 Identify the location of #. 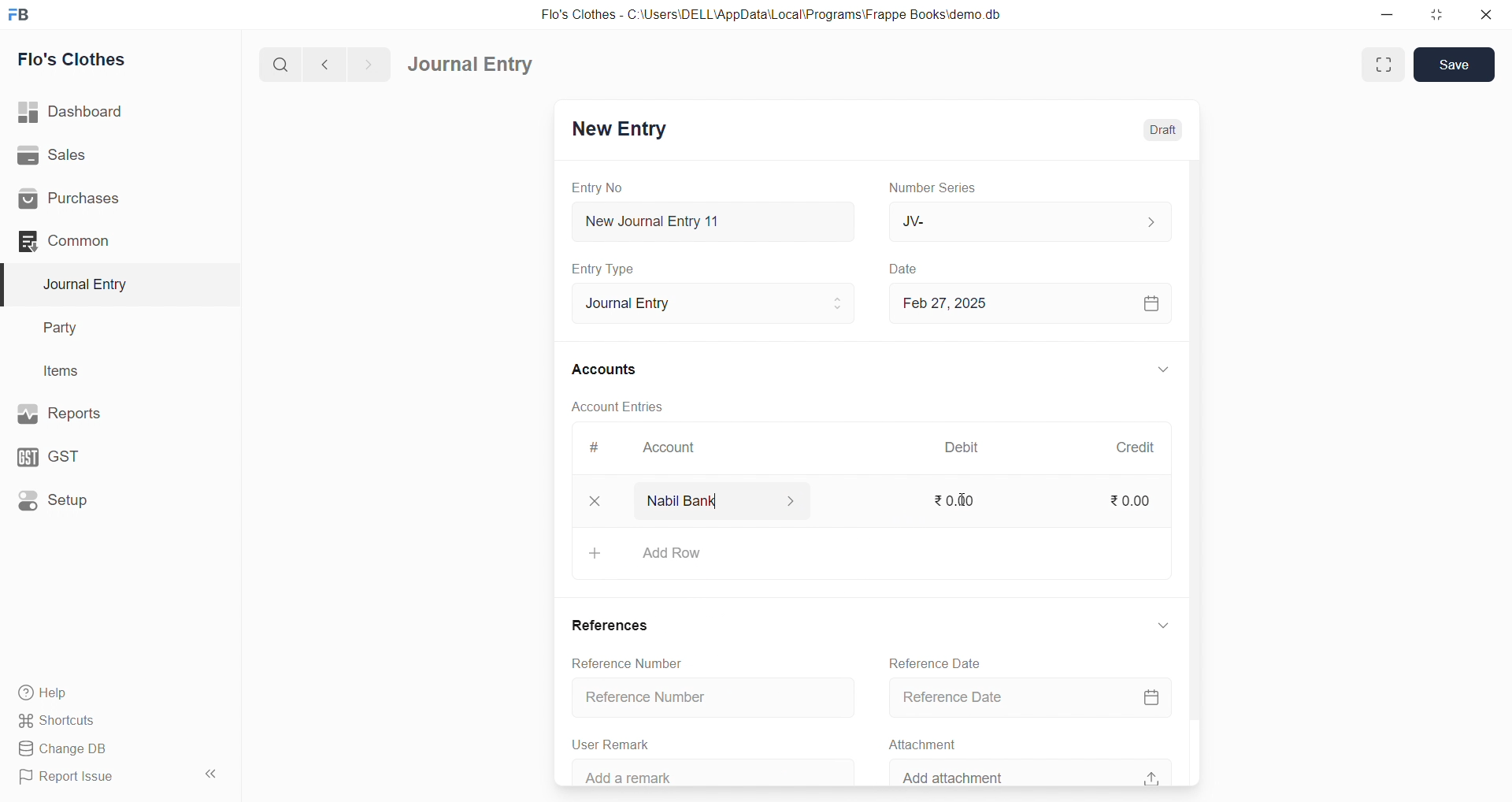
(594, 447).